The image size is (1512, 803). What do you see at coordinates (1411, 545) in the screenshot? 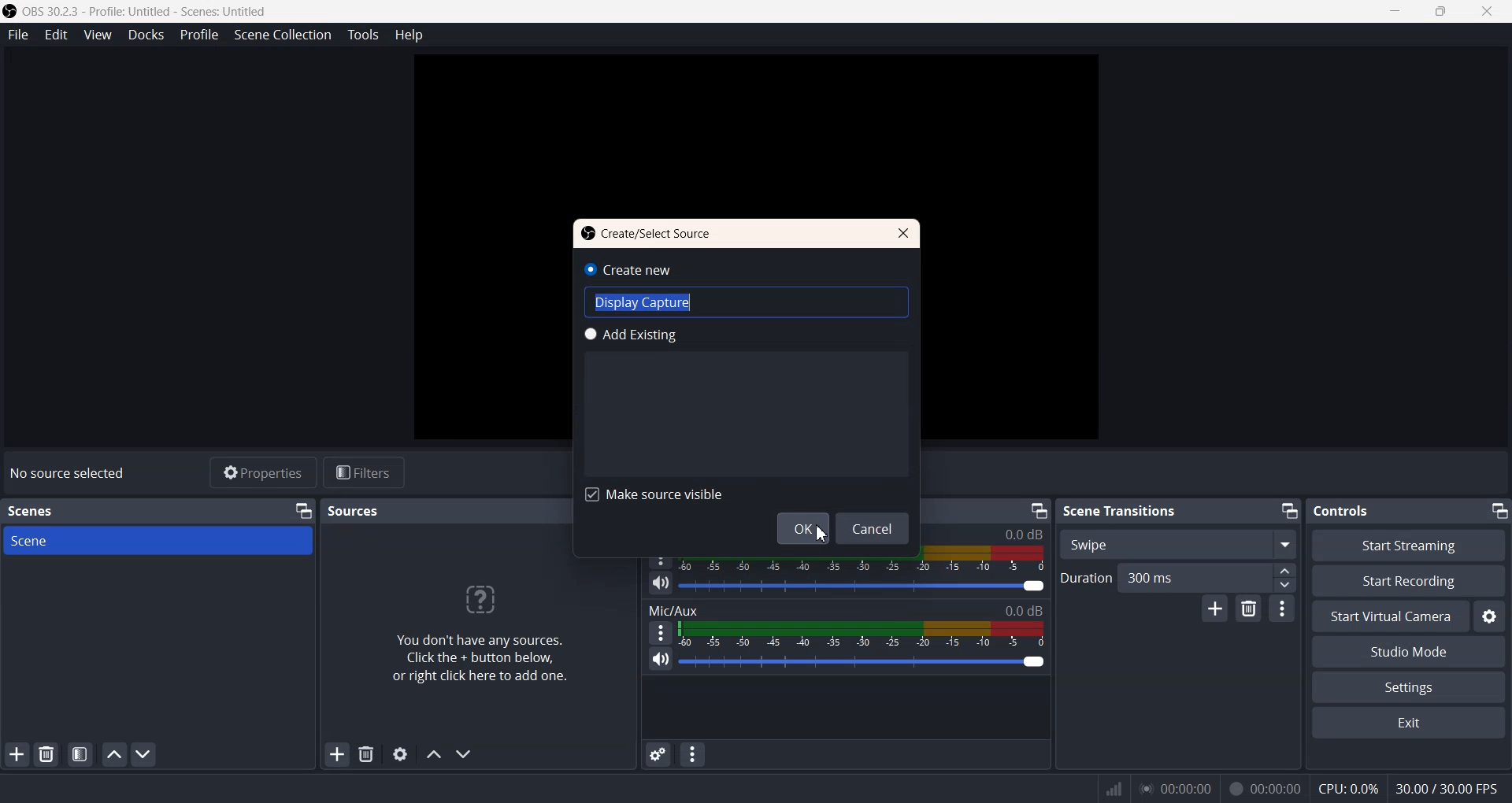
I see `Start Streaming` at bounding box center [1411, 545].